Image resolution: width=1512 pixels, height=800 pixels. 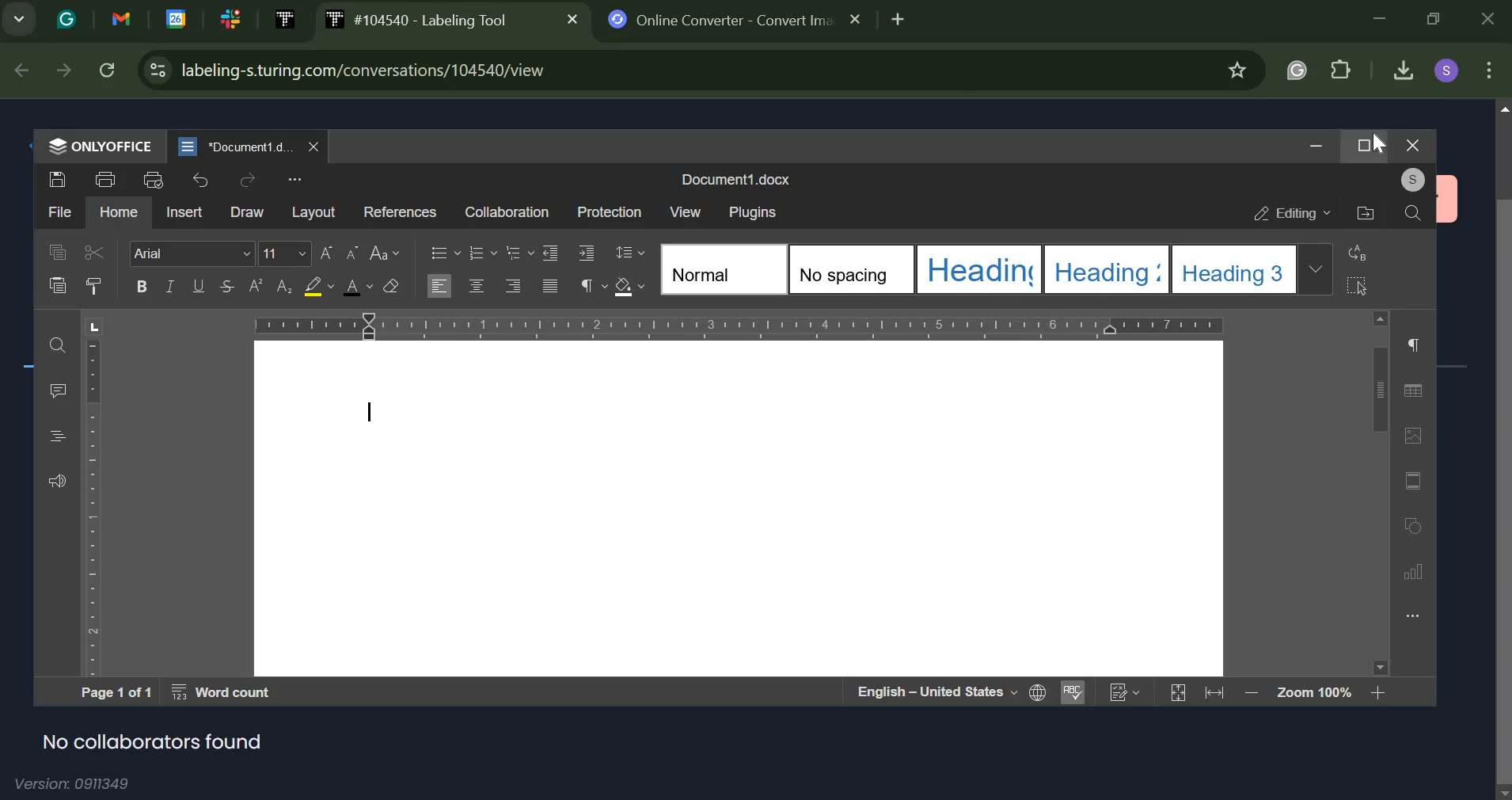 I want to click on print, so click(x=105, y=177).